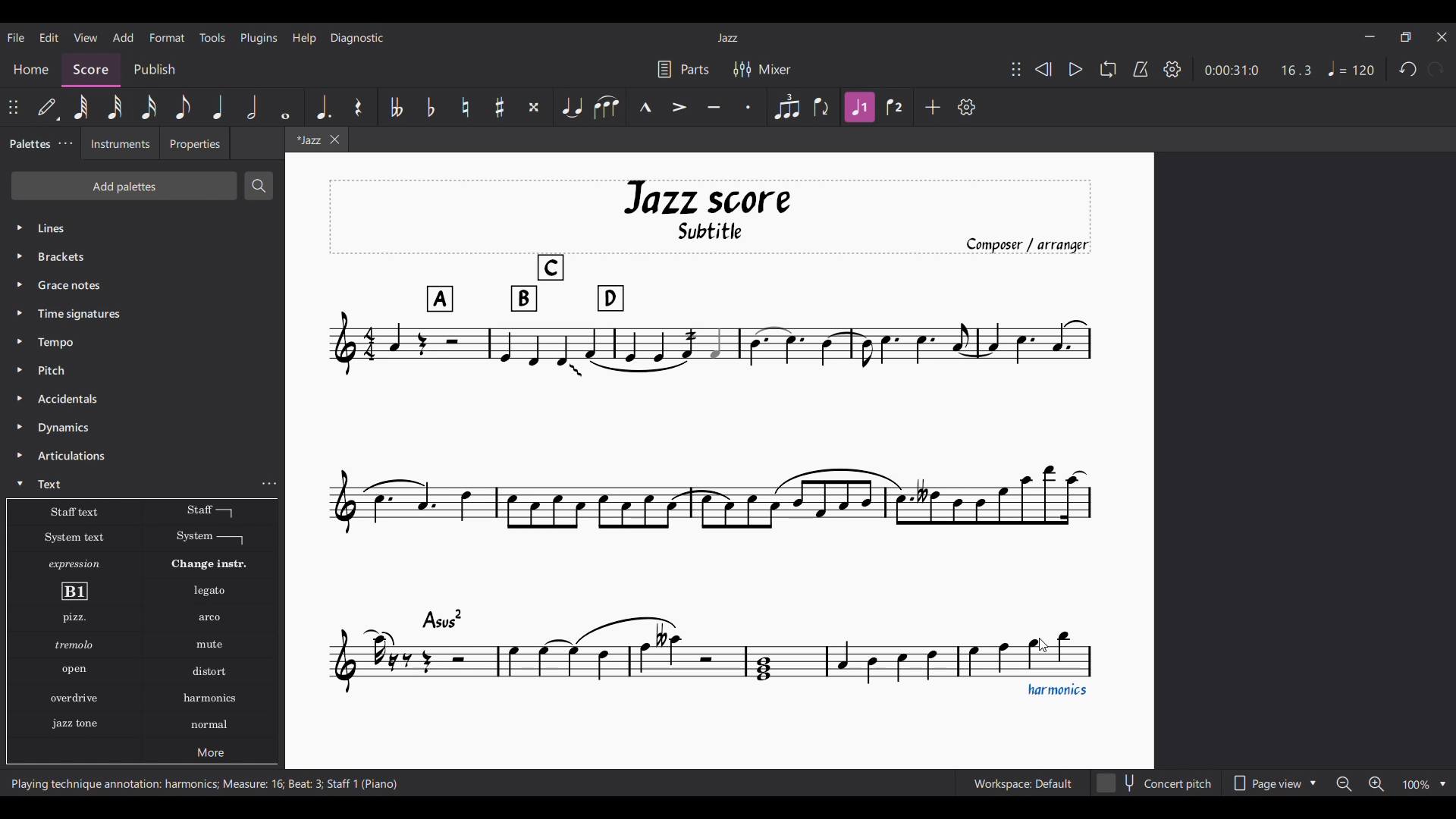  What do you see at coordinates (115, 187) in the screenshot?
I see `Add palette` at bounding box center [115, 187].